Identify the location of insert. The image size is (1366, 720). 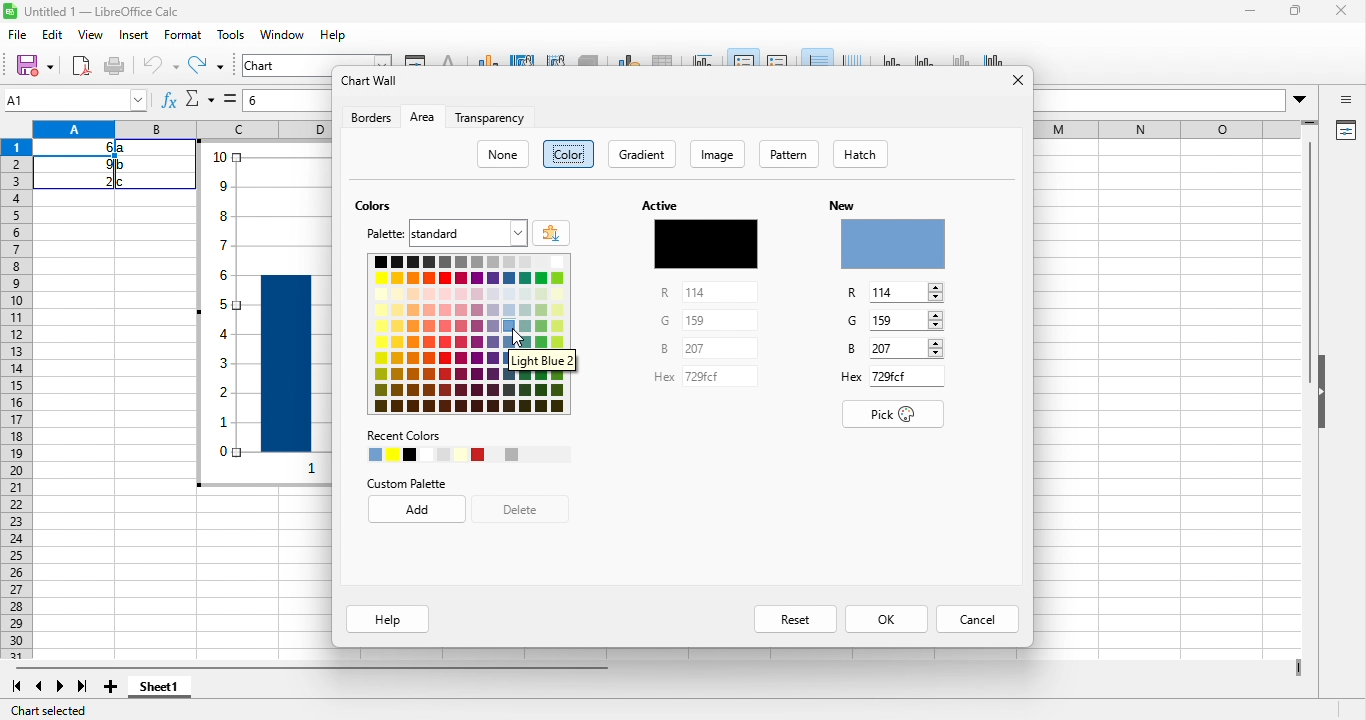
(135, 35).